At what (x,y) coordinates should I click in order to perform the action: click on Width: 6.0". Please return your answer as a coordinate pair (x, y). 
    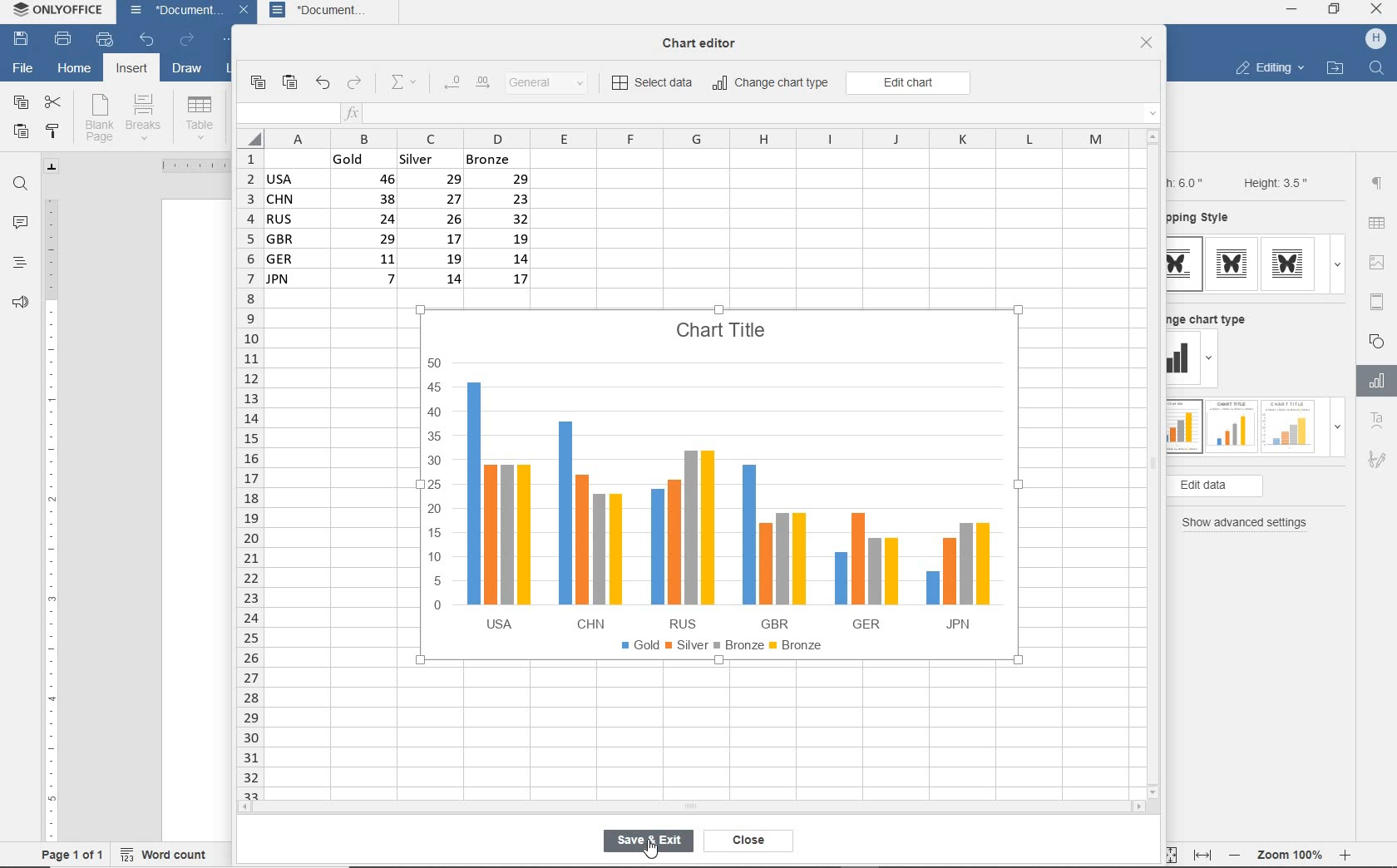
    Looking at the image, I should click on (1188, 181).